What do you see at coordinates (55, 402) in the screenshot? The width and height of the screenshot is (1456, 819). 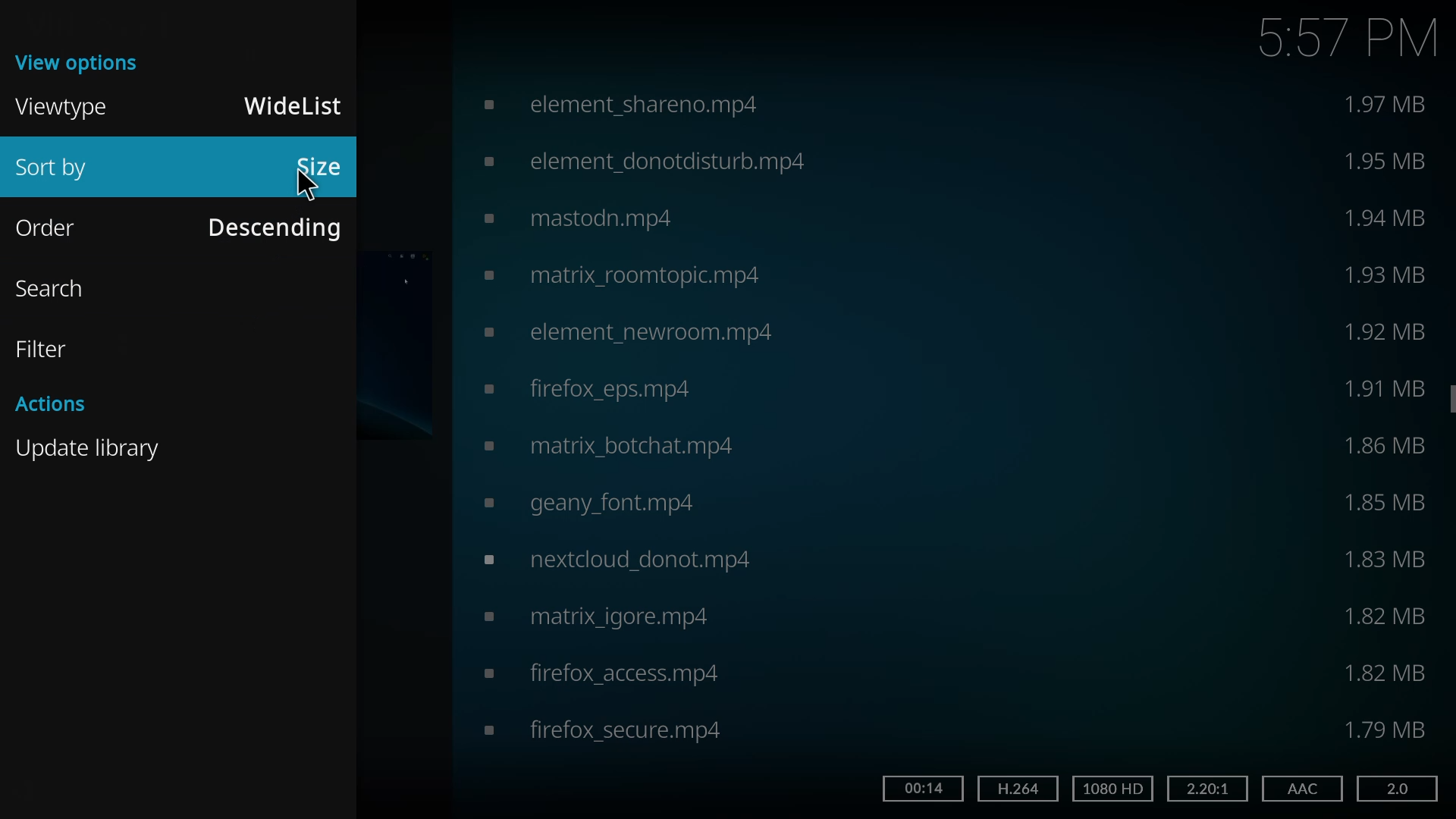 I see `actions` at bounding box center [55, 402].